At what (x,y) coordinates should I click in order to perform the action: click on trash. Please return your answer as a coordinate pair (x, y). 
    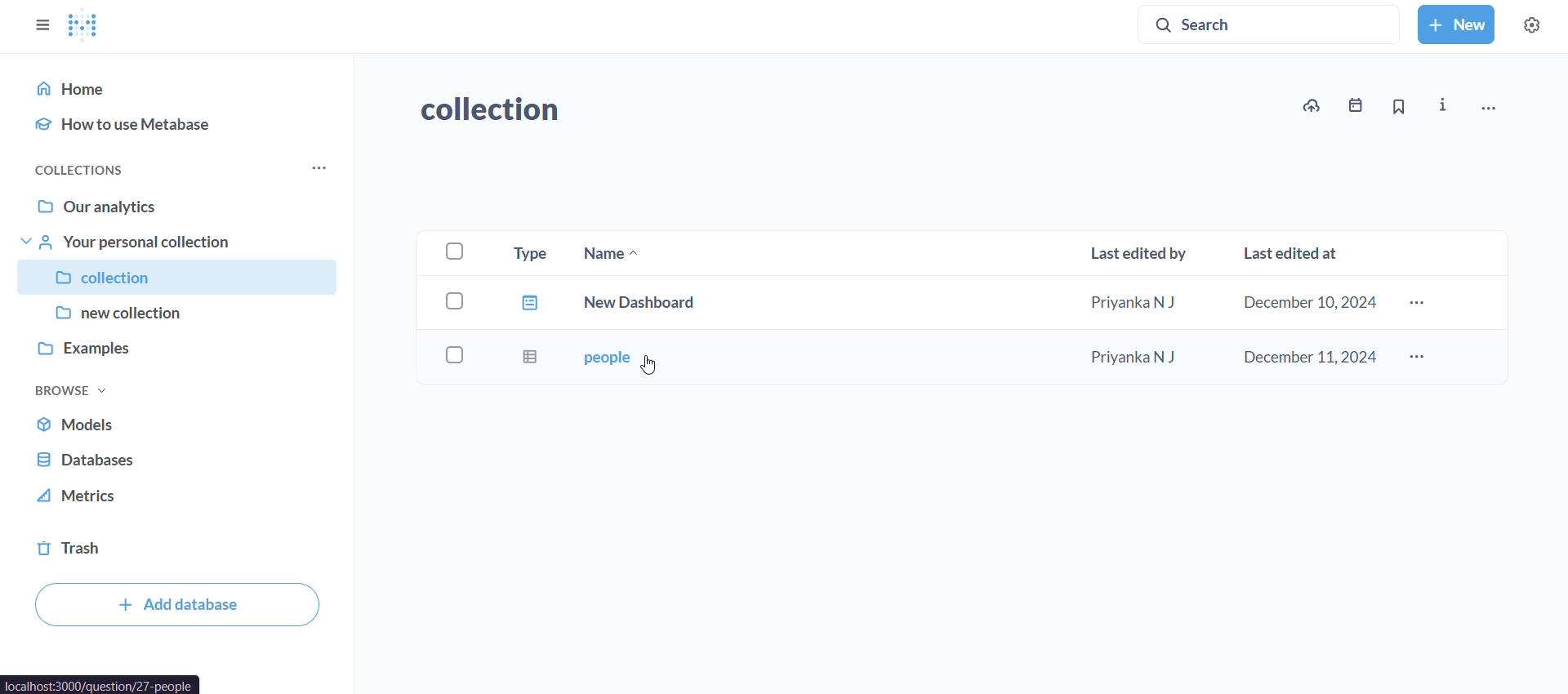
    Looking at the image, I should click on (176, 550).